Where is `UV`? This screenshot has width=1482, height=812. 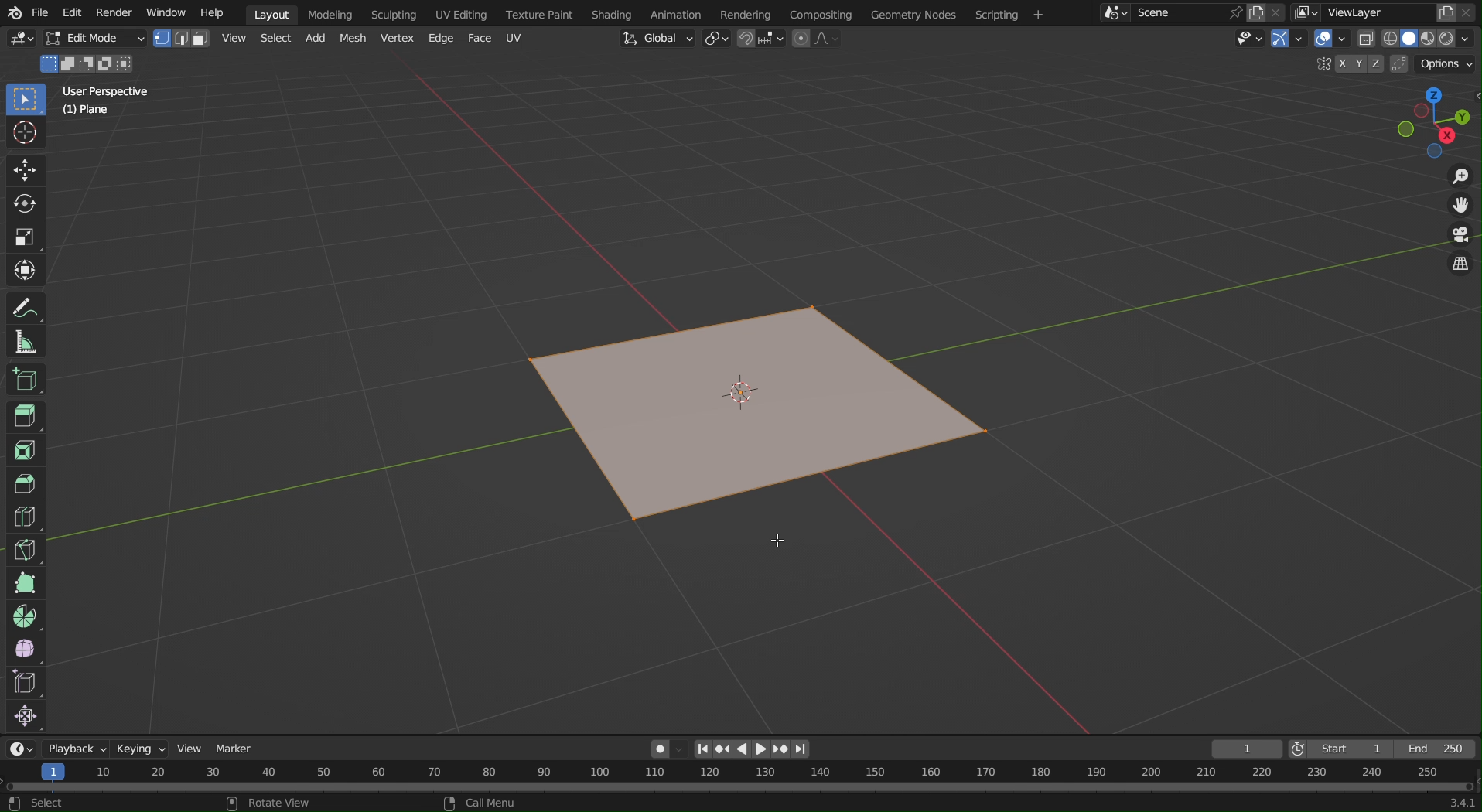 UV is located at coordinates (514, 37).